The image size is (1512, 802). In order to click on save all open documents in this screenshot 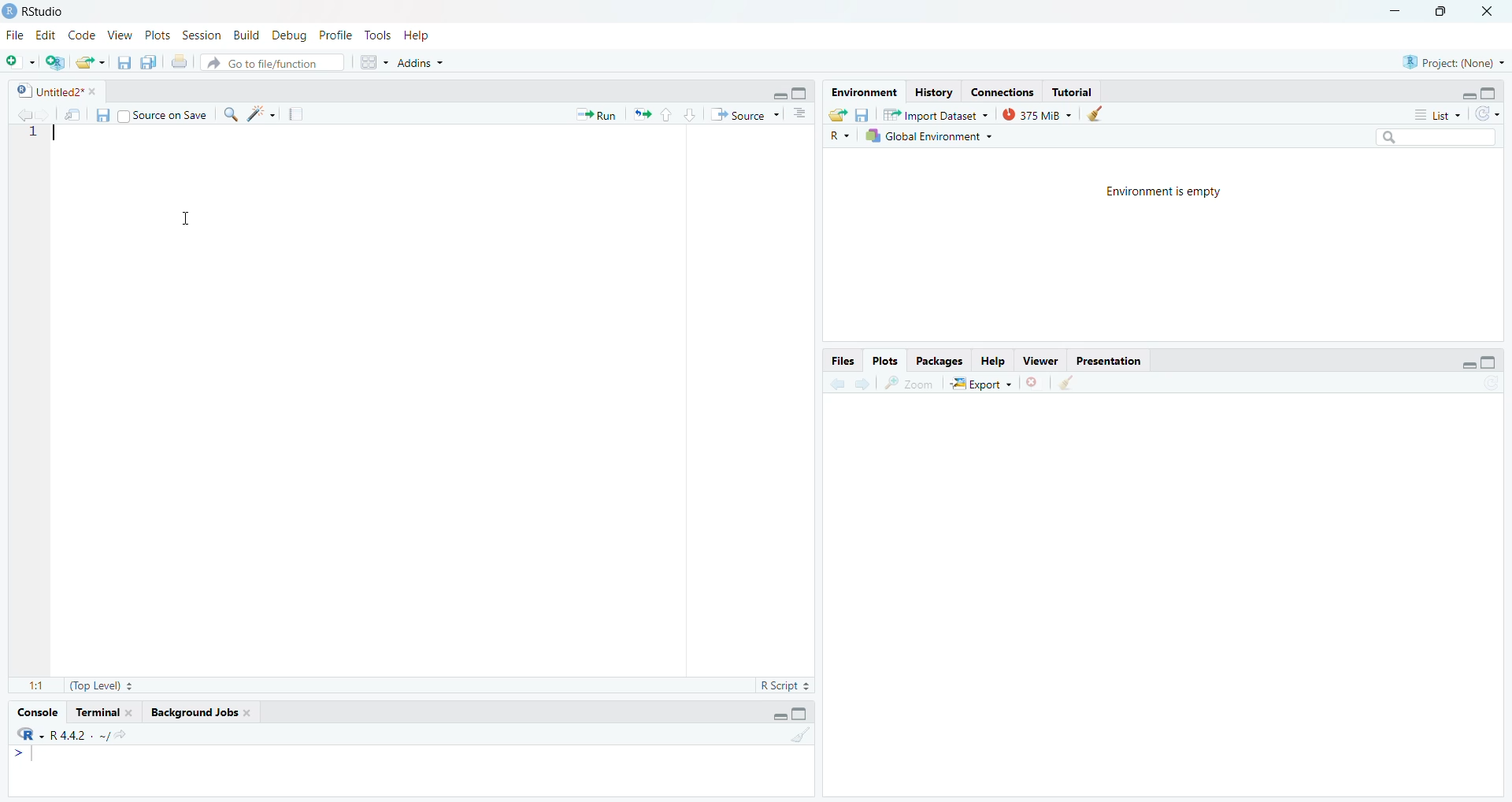, I will do `click(149, 60)`.